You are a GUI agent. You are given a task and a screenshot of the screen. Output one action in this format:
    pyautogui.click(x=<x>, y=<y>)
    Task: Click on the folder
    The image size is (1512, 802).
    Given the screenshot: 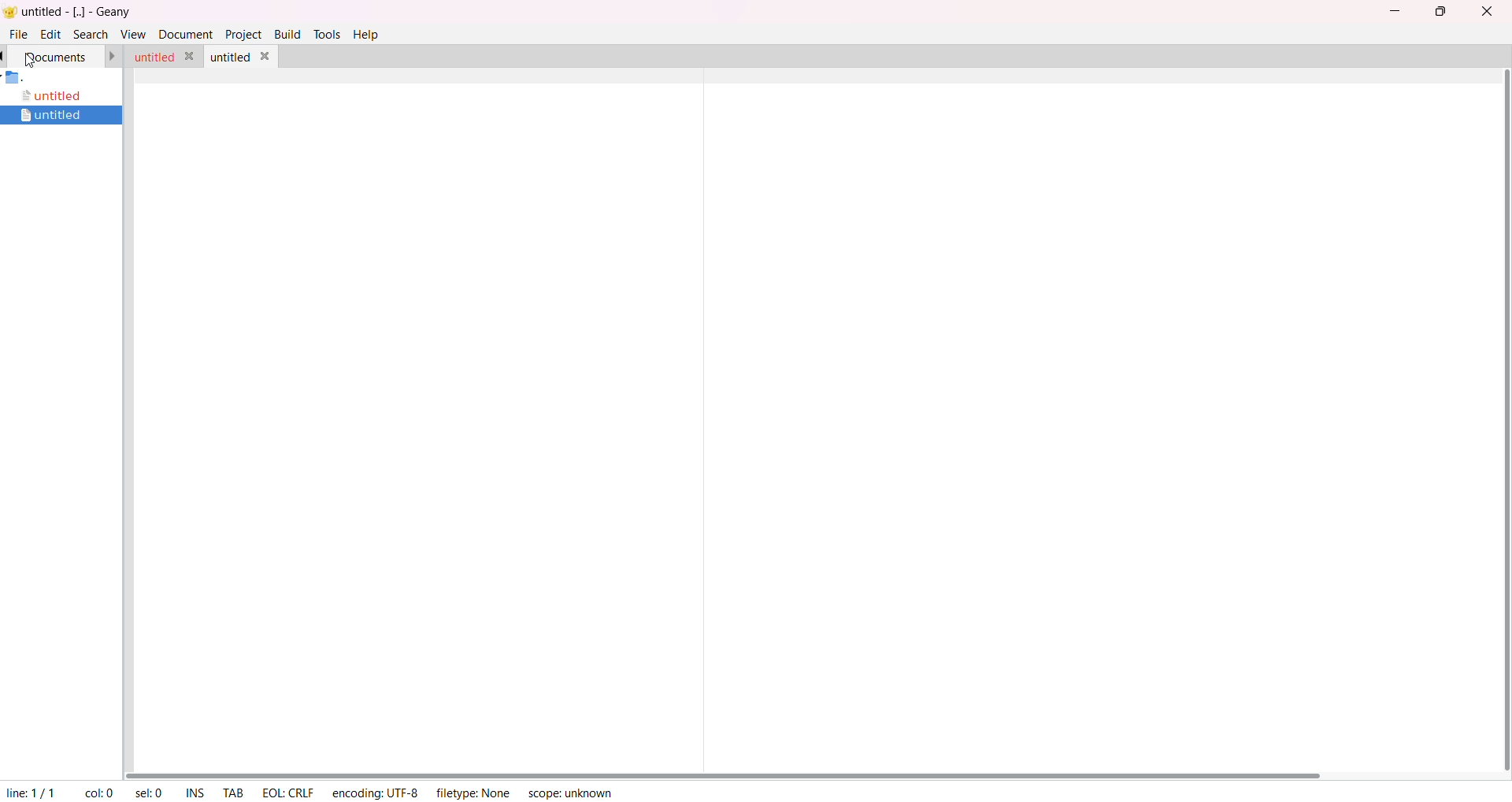 What is the action you would take?
    pyautogui.click(x=18, y=79)
    